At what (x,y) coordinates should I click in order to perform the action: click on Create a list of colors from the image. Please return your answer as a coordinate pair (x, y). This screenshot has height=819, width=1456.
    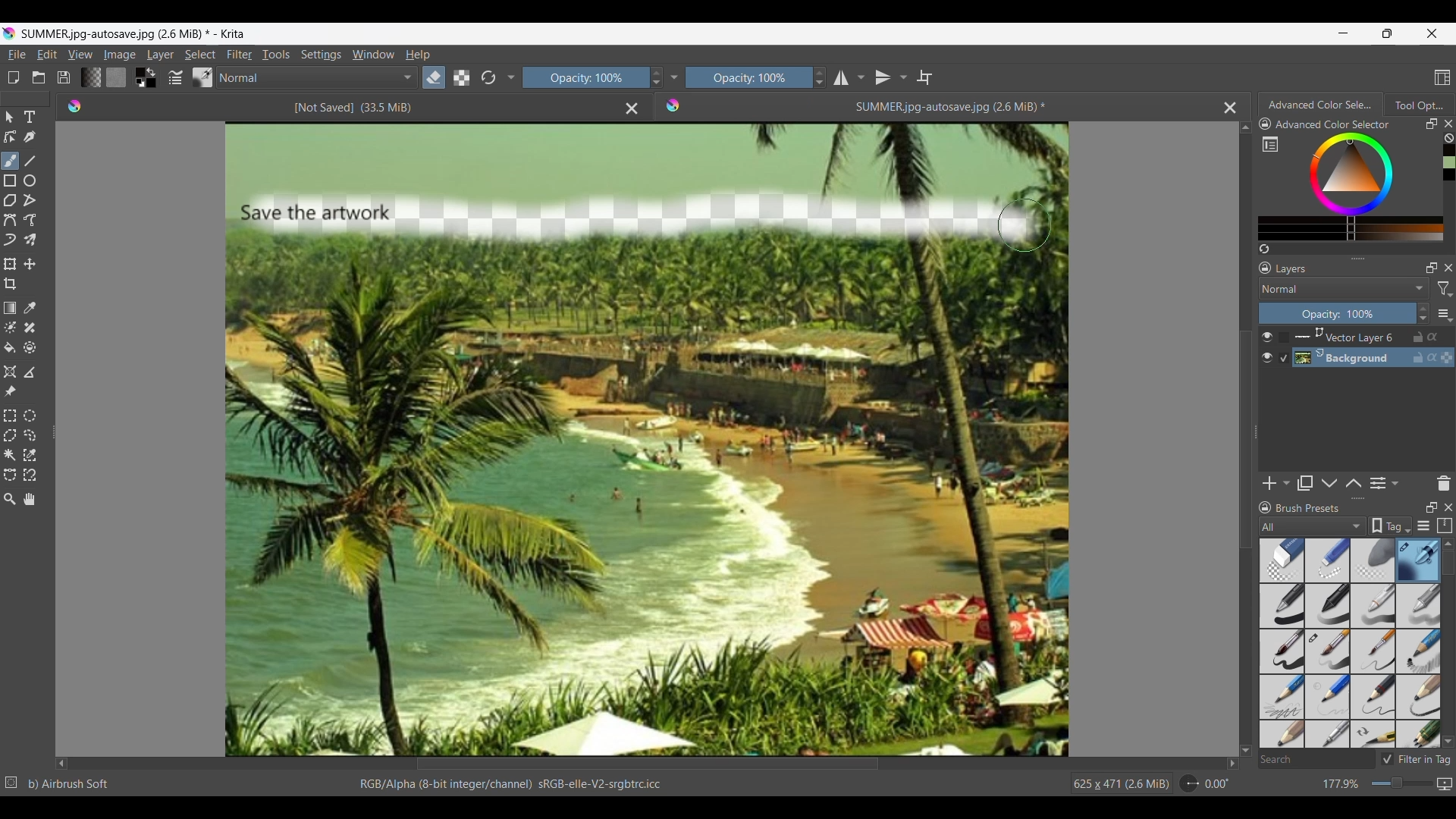
    Looking at the image, I should click on (1264, 249).